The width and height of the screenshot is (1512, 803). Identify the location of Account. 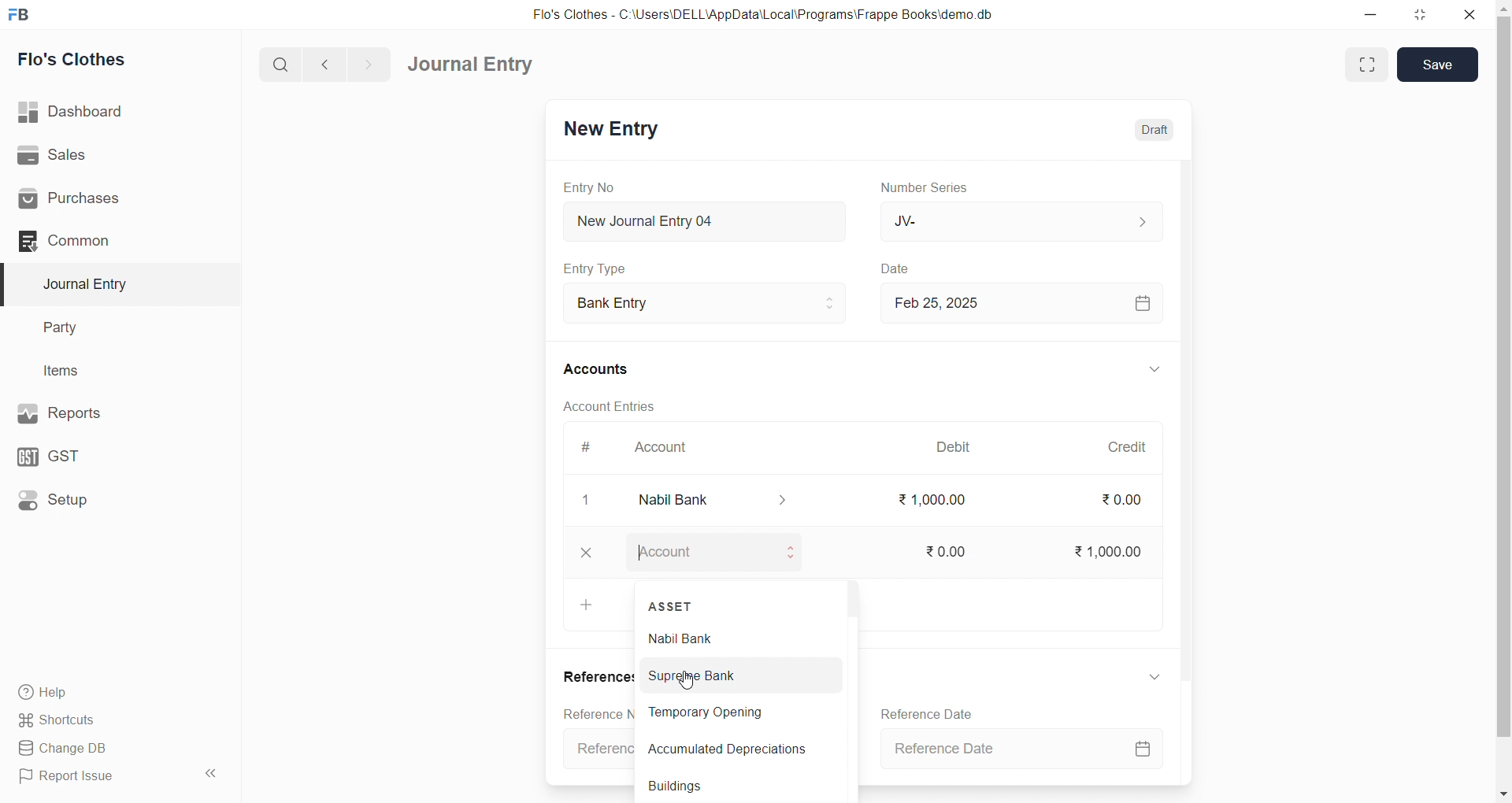
(713, 498).